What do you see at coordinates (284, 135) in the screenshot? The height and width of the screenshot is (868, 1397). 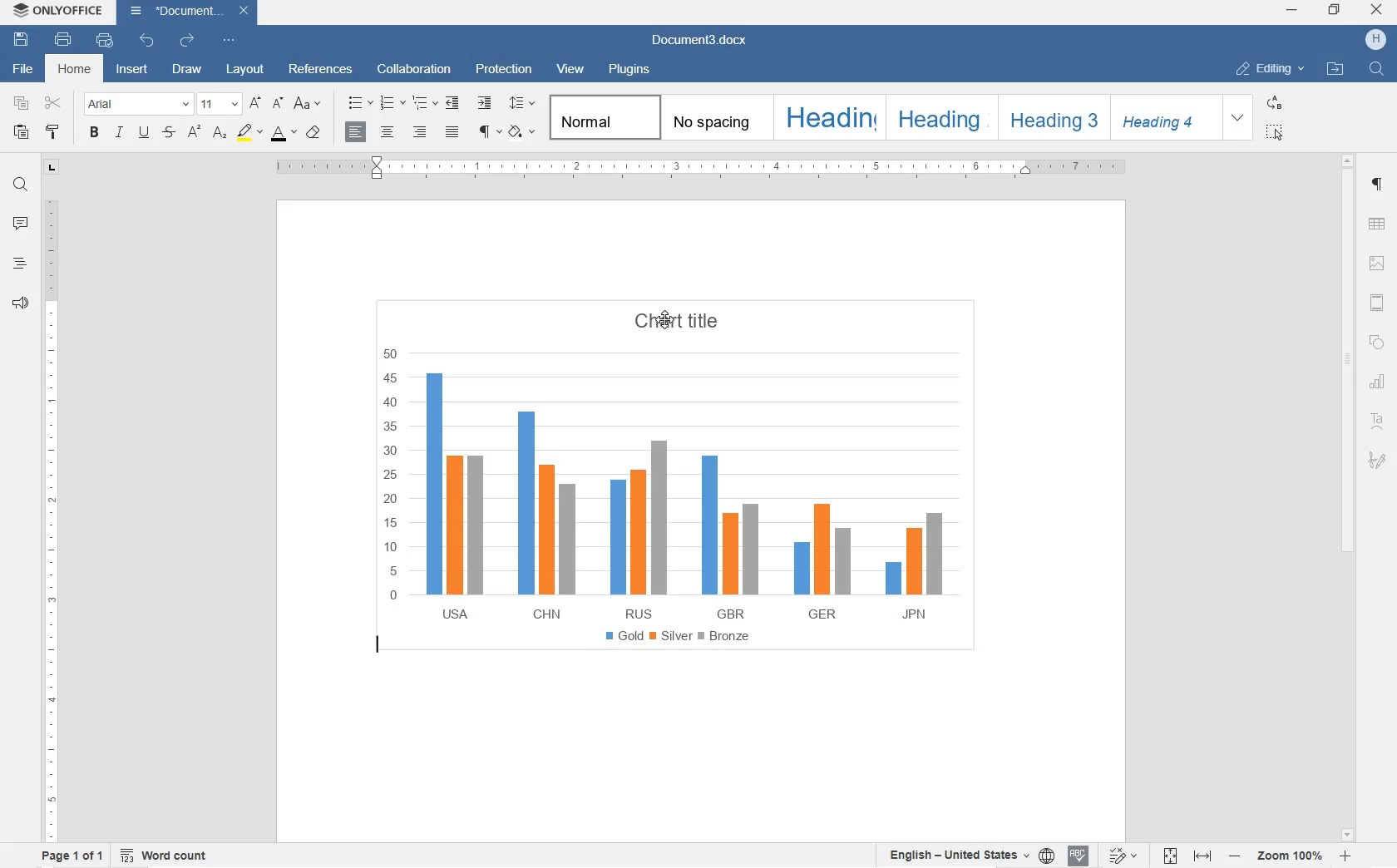 I see `FONT COLOR` at bounding box center [284, 135].